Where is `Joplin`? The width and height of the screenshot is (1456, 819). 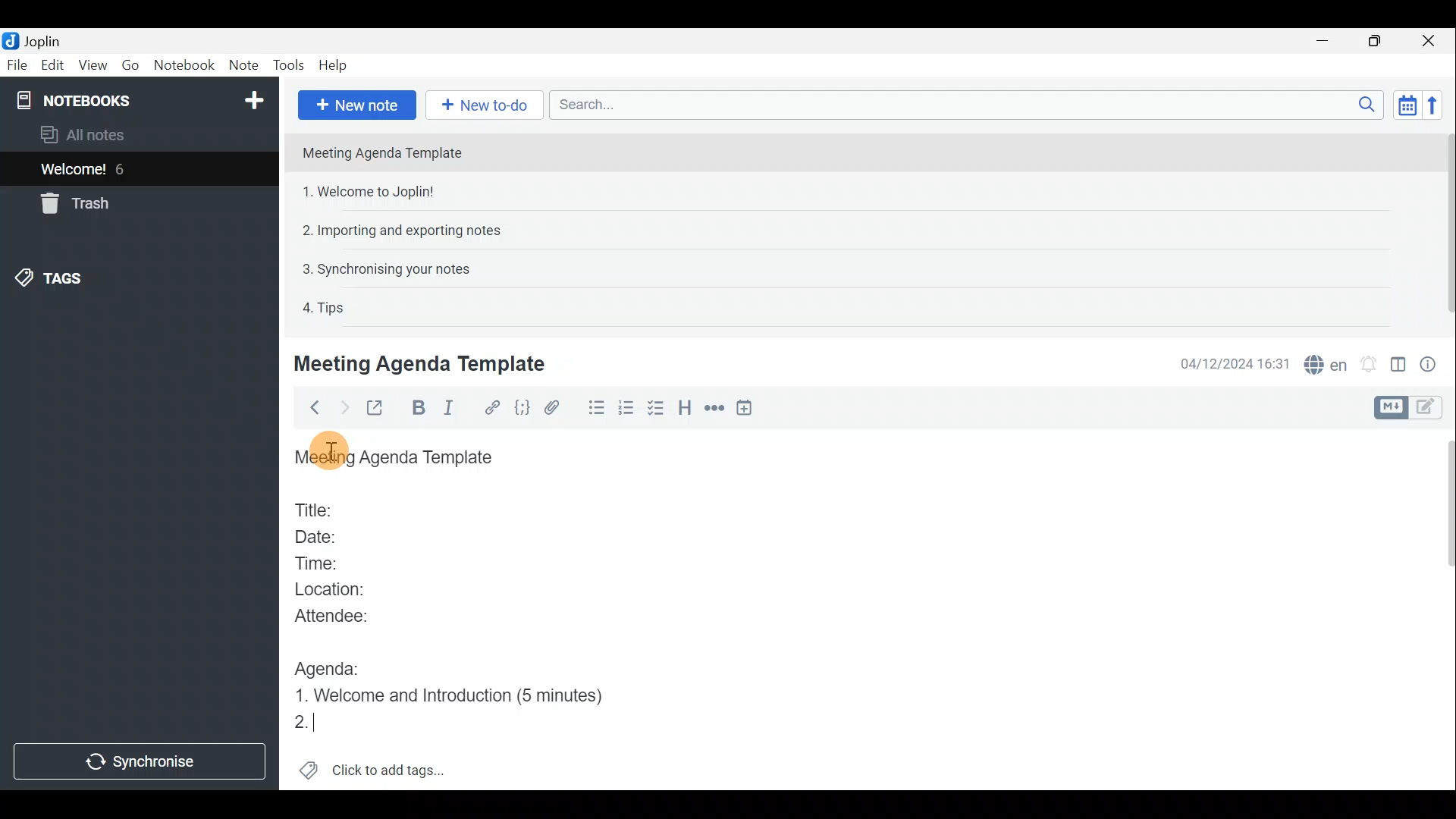 Joplin is located at coordinates (42, 40).